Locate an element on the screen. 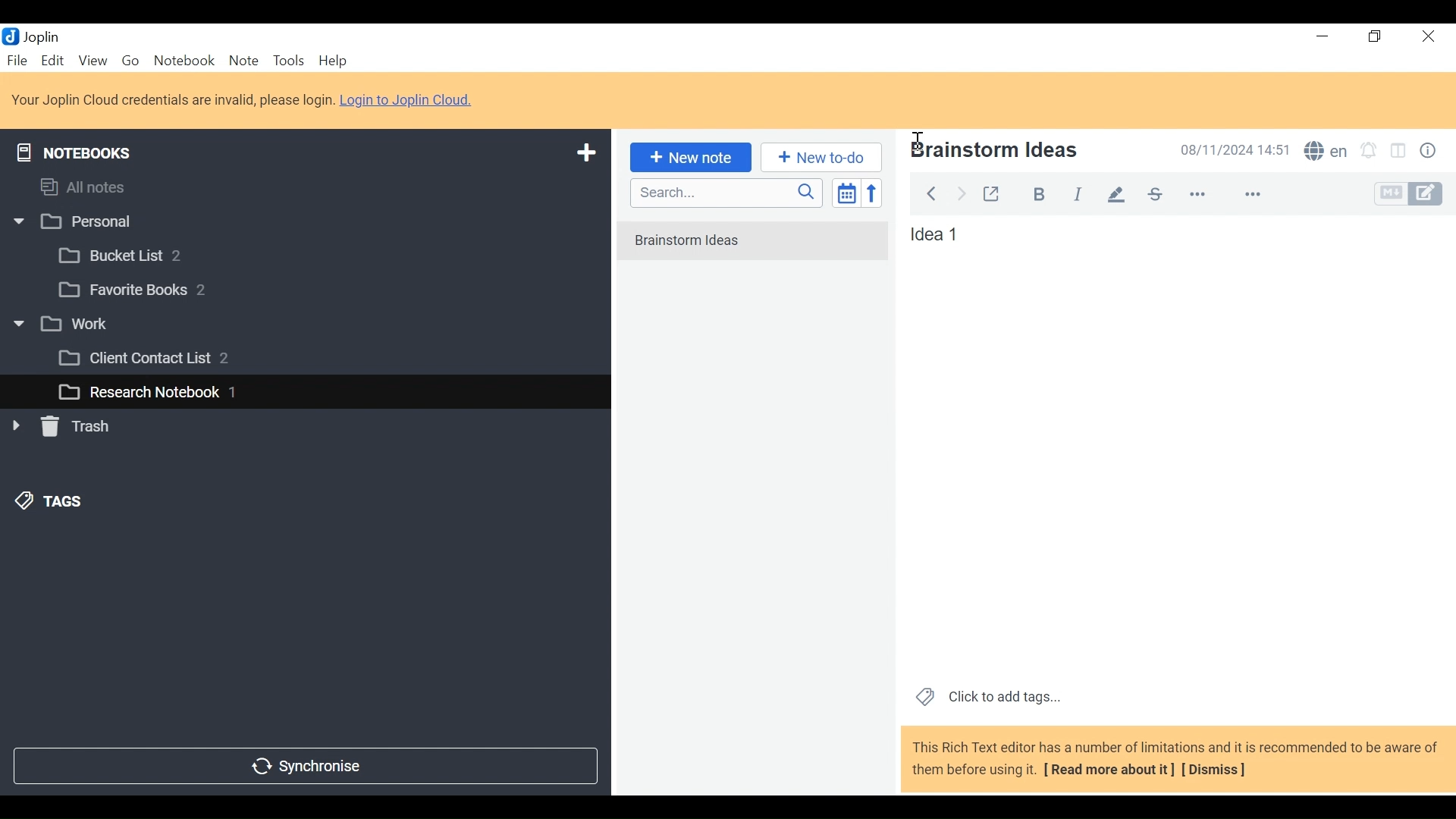 This screenshot has width=1456, height=819. Click to add tags is located at coordinates (985, 695).